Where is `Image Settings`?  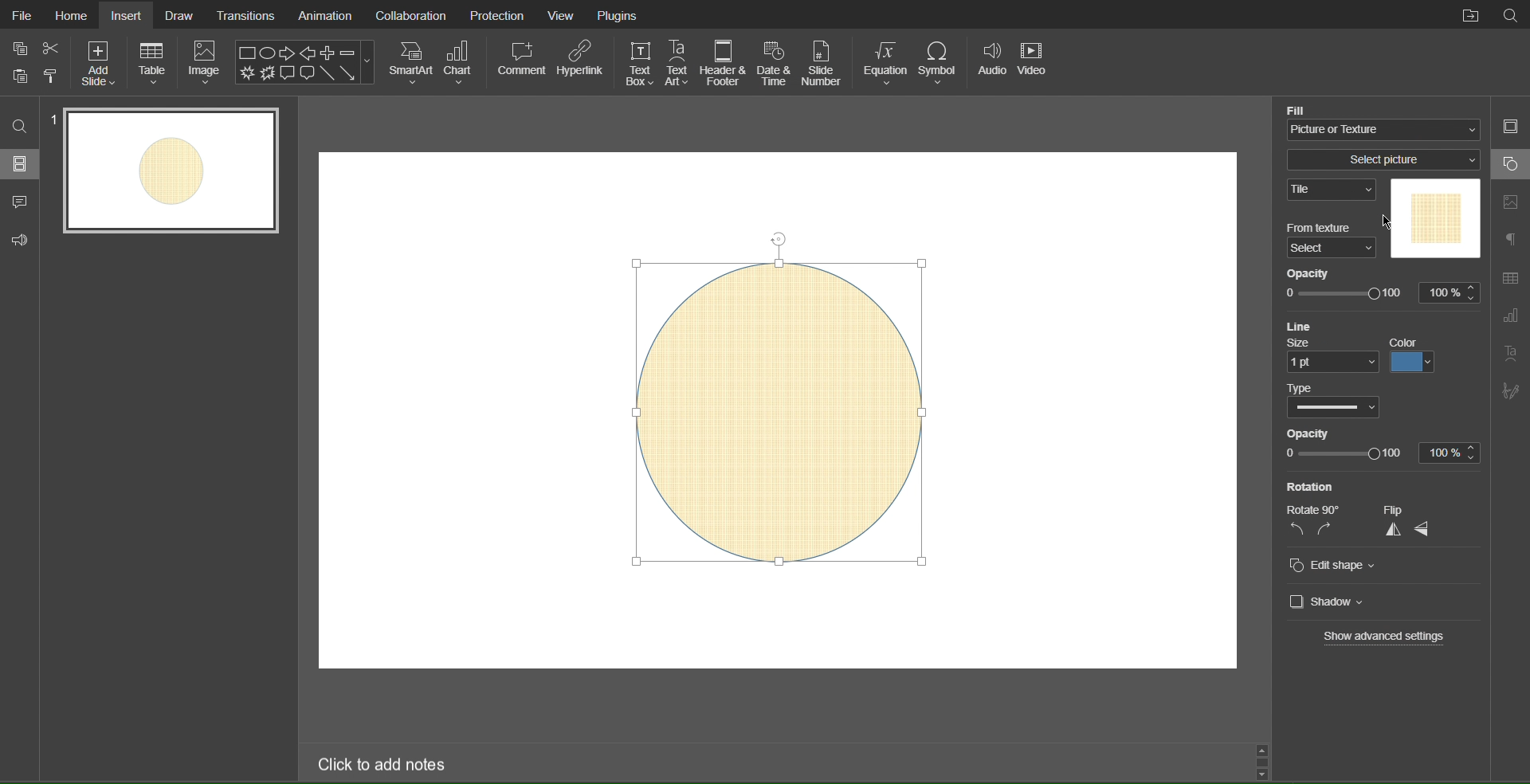
Image Settings is located at coordinates (1508, 202).